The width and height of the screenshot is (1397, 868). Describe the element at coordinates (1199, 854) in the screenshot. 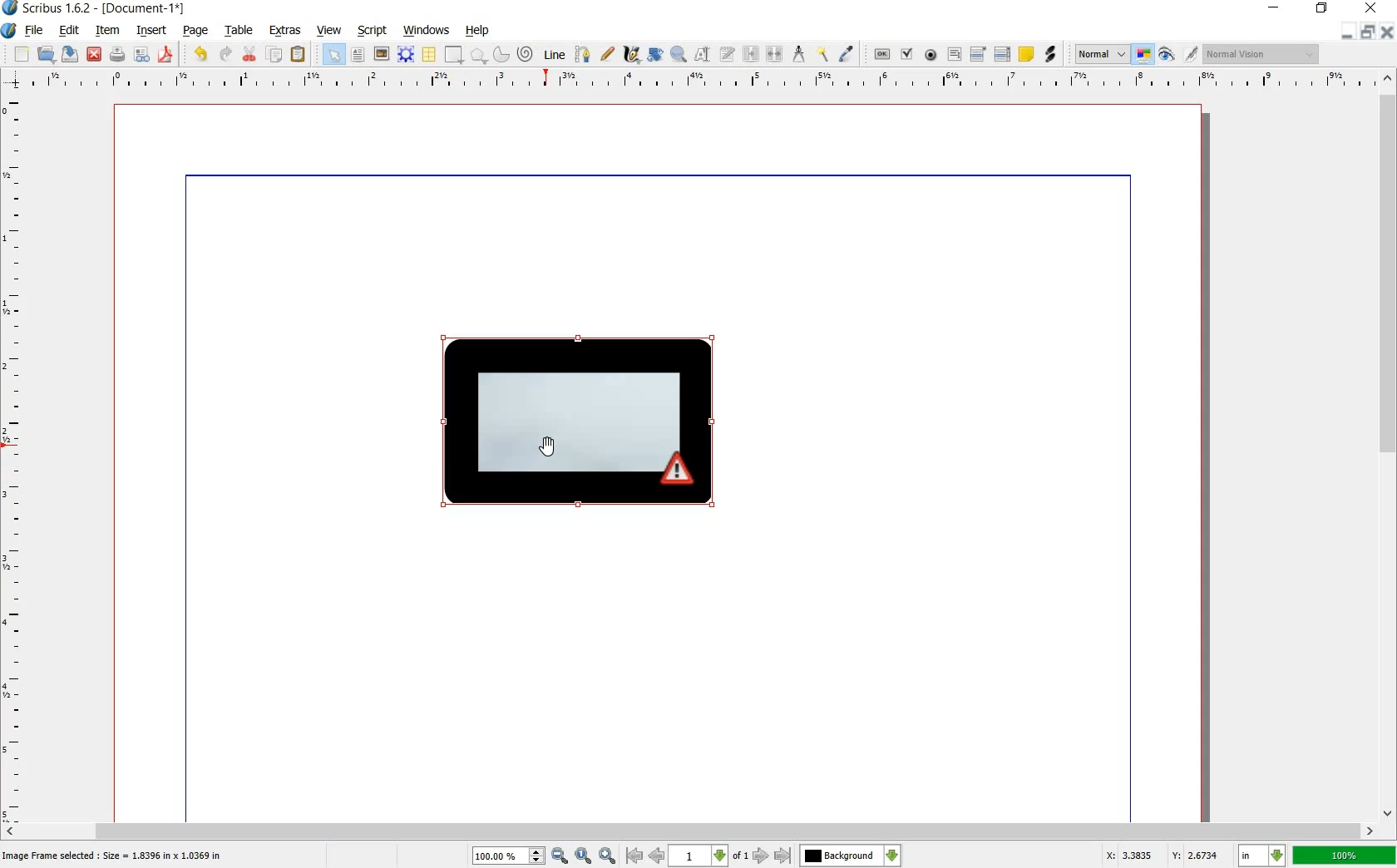

I see `coordinate y:2.4133` at that location.